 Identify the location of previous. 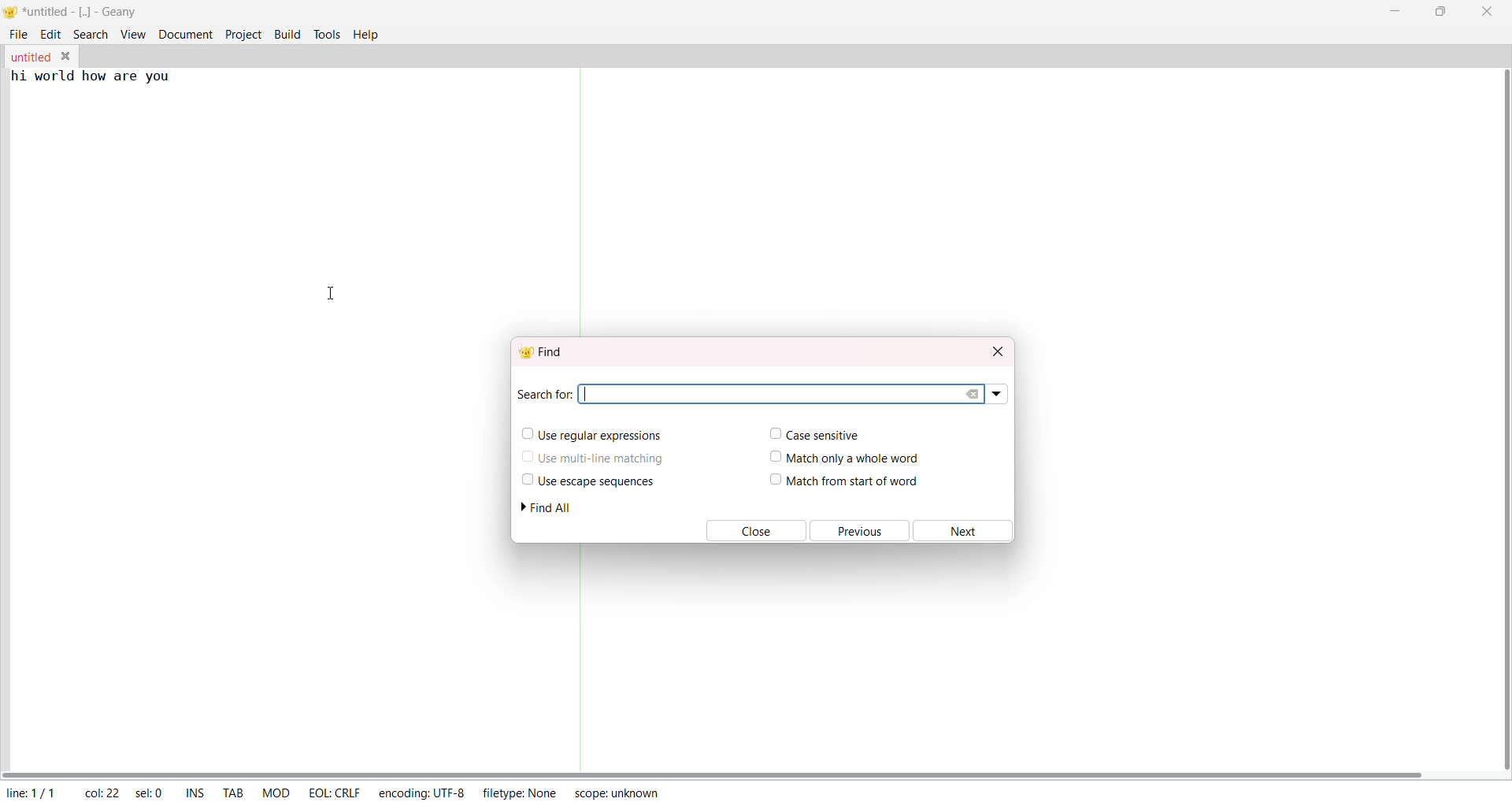
(857, 531).